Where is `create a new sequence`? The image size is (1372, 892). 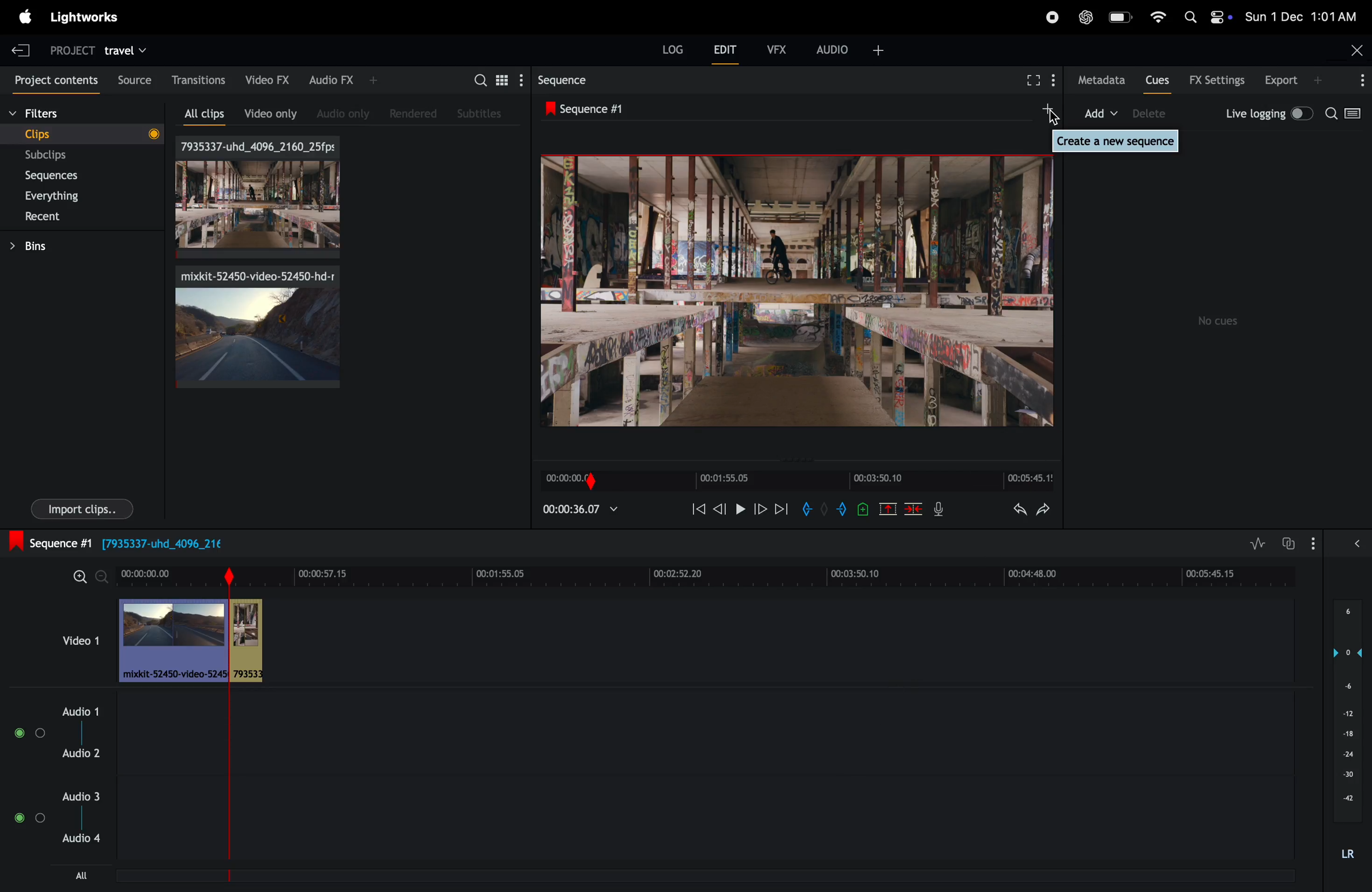 create a new sequence is located at coordinates (1116, 139).